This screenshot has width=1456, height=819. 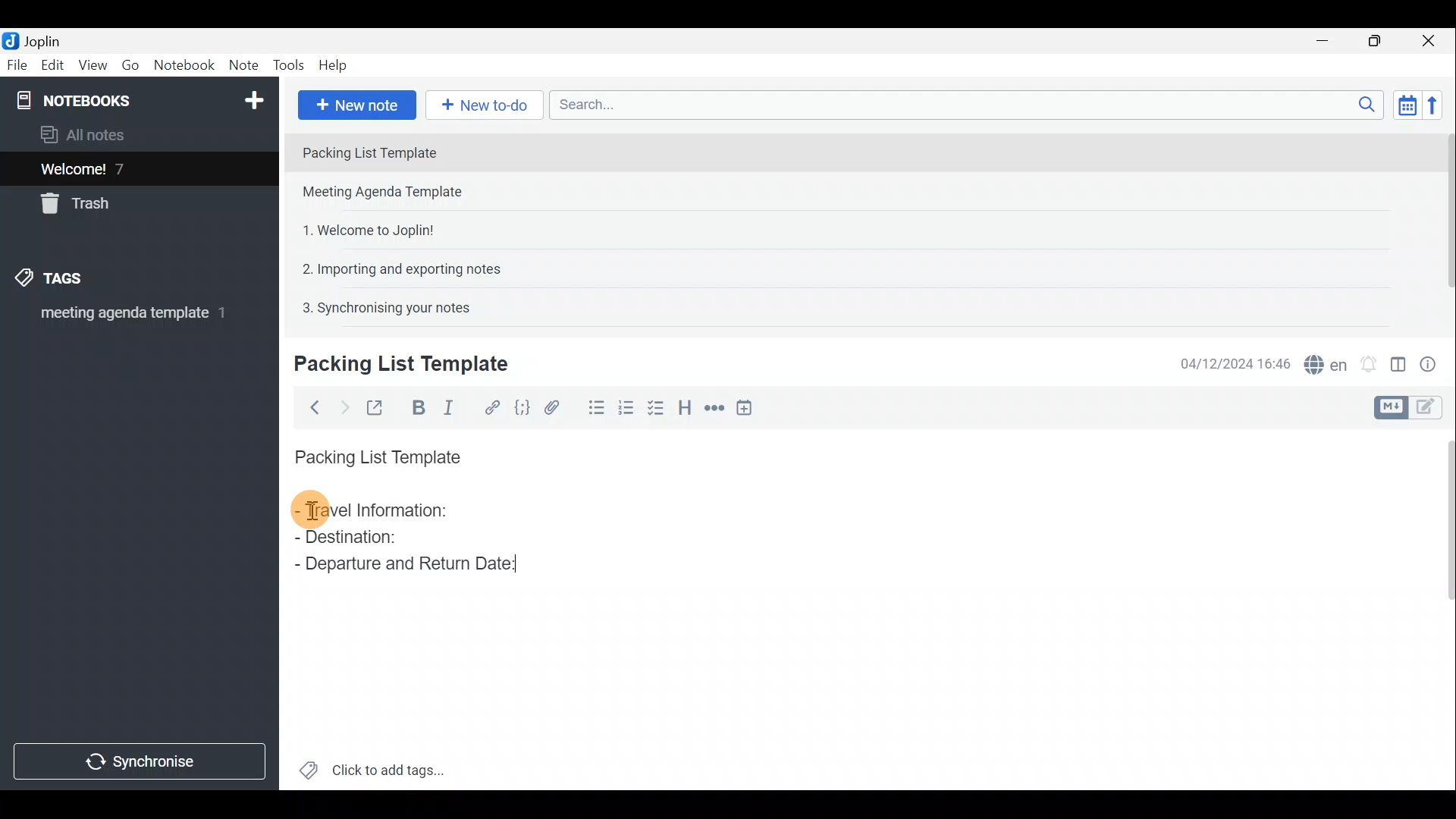 I want to click on Checkbox, so click(x=661, y=412).